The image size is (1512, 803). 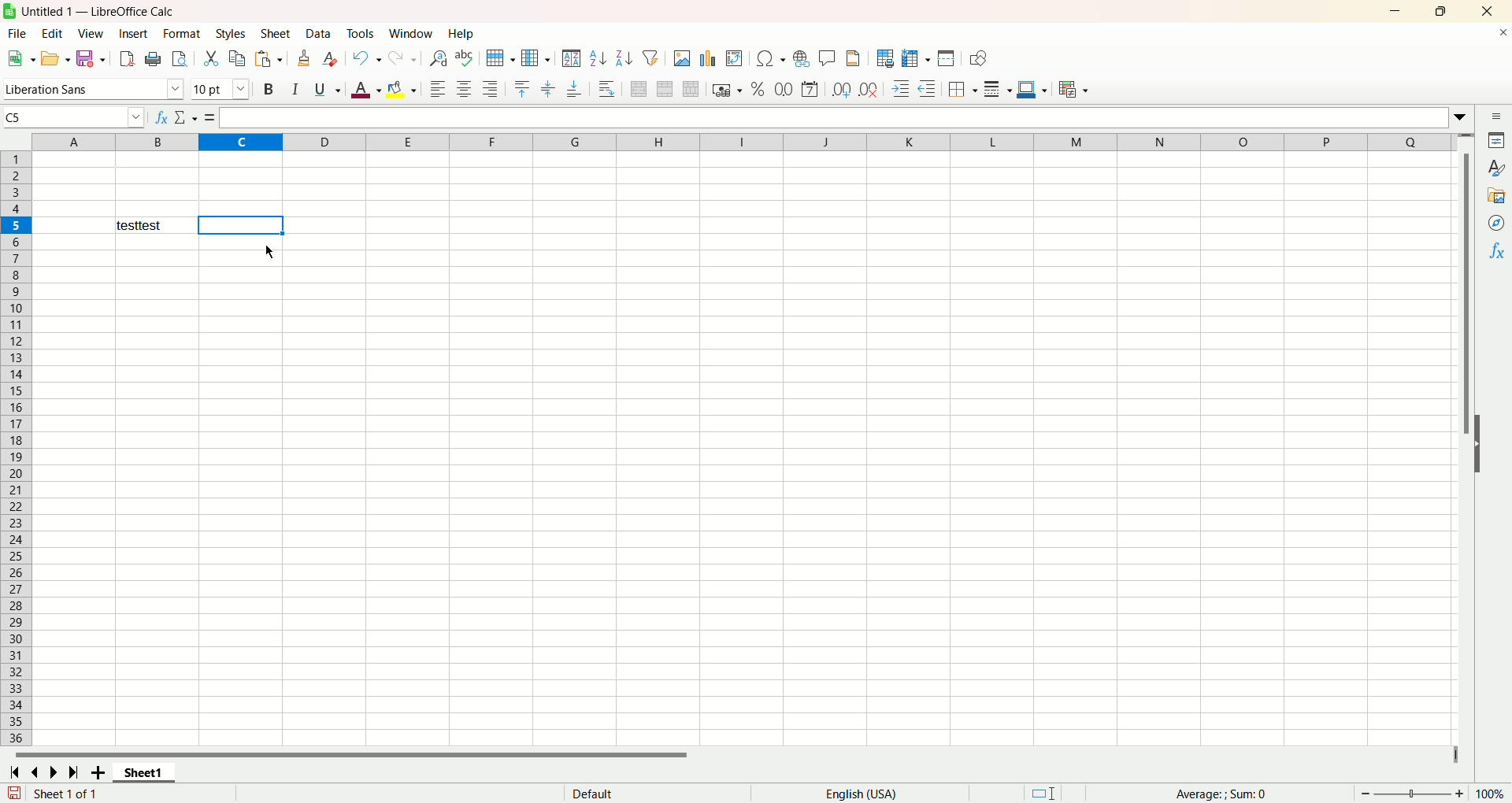 I want to click on center vertically, so click(x=550, y=87).